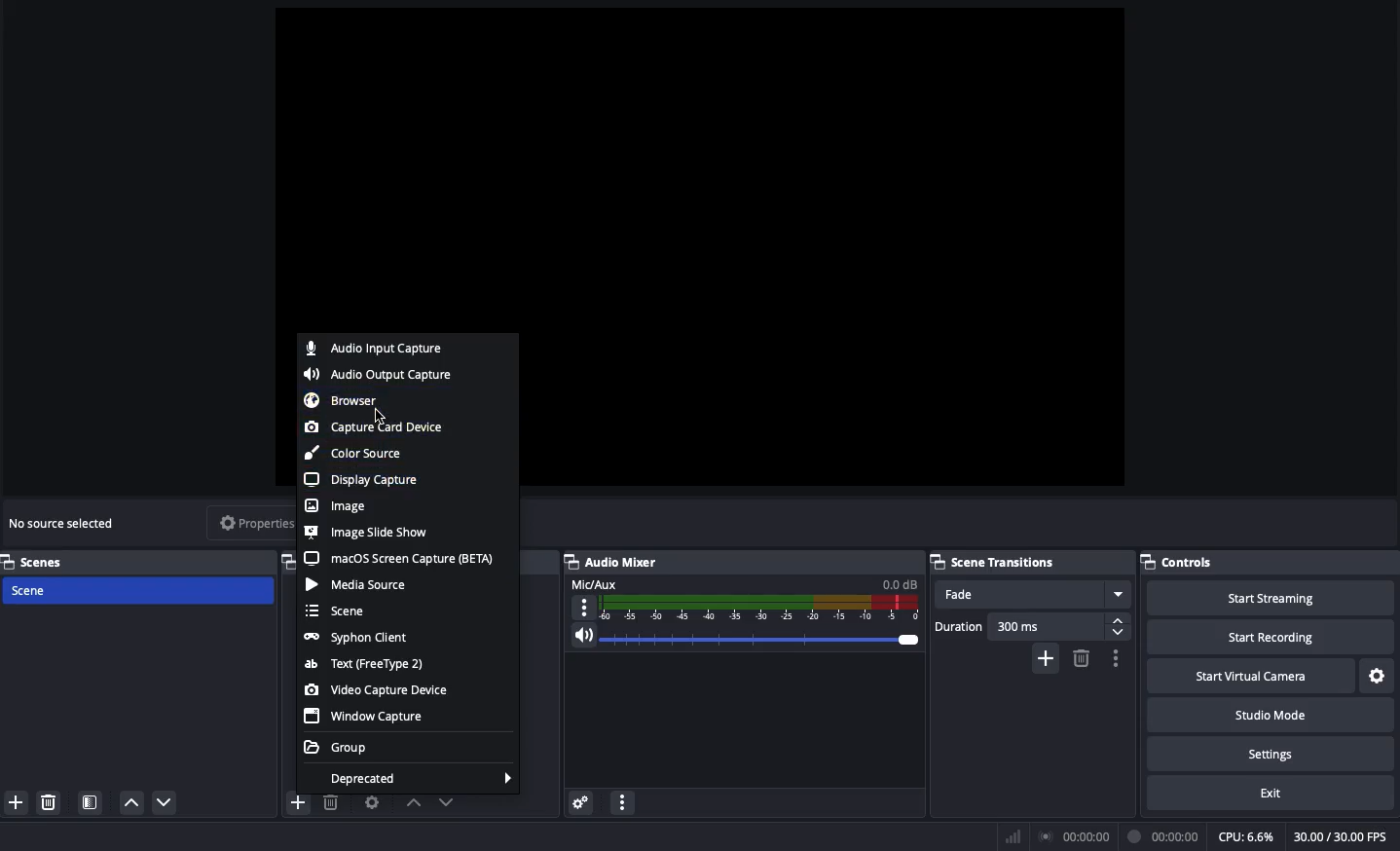  I want to click on cursor, so click(381, 414).